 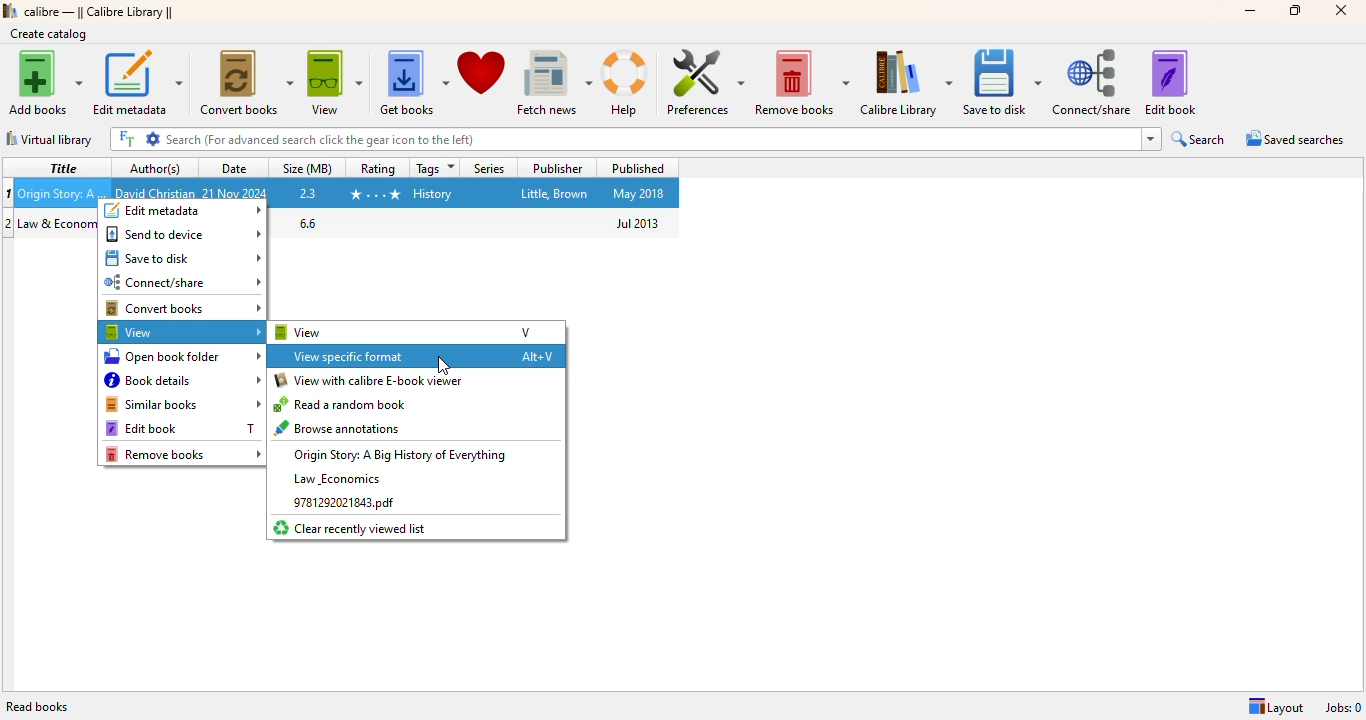 I want to click on search, so click(x=1200, y=139).